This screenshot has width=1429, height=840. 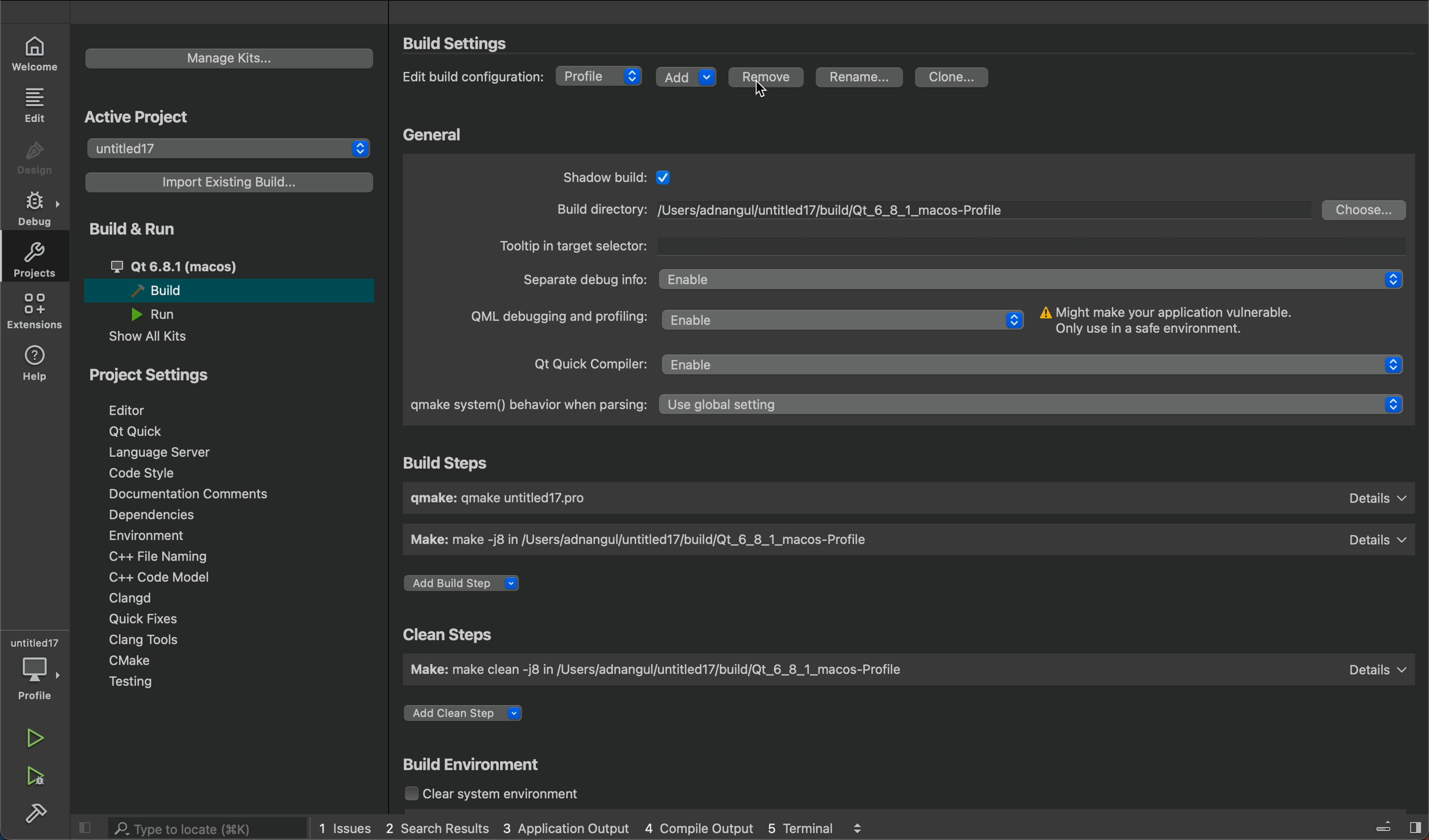 What do you see at coordinates (496, 793) in the screenshot?
I see `clear system environment` at bounding box center [496, 793].